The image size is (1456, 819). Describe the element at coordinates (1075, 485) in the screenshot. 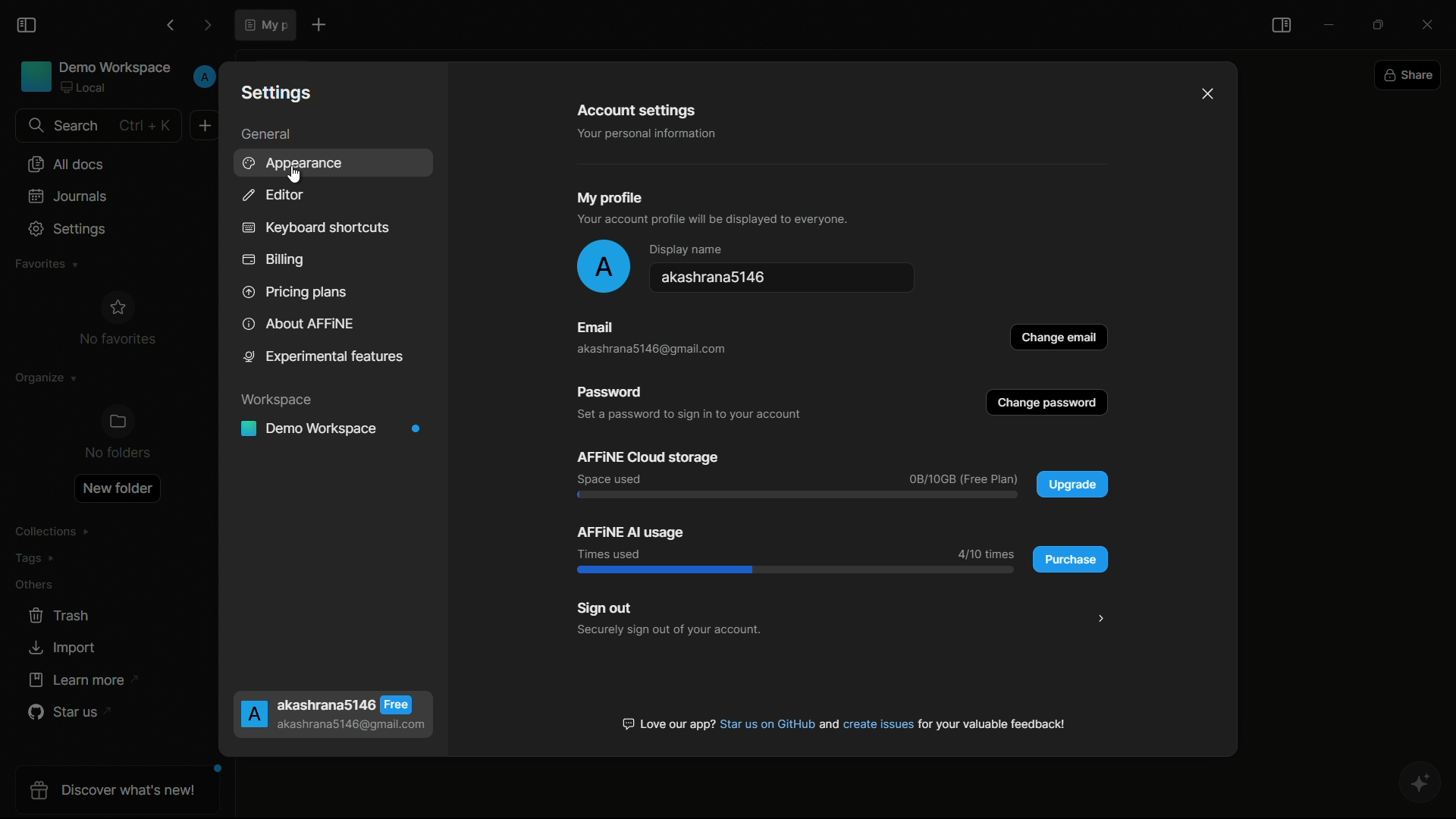

I see `Upgrade` at that location.